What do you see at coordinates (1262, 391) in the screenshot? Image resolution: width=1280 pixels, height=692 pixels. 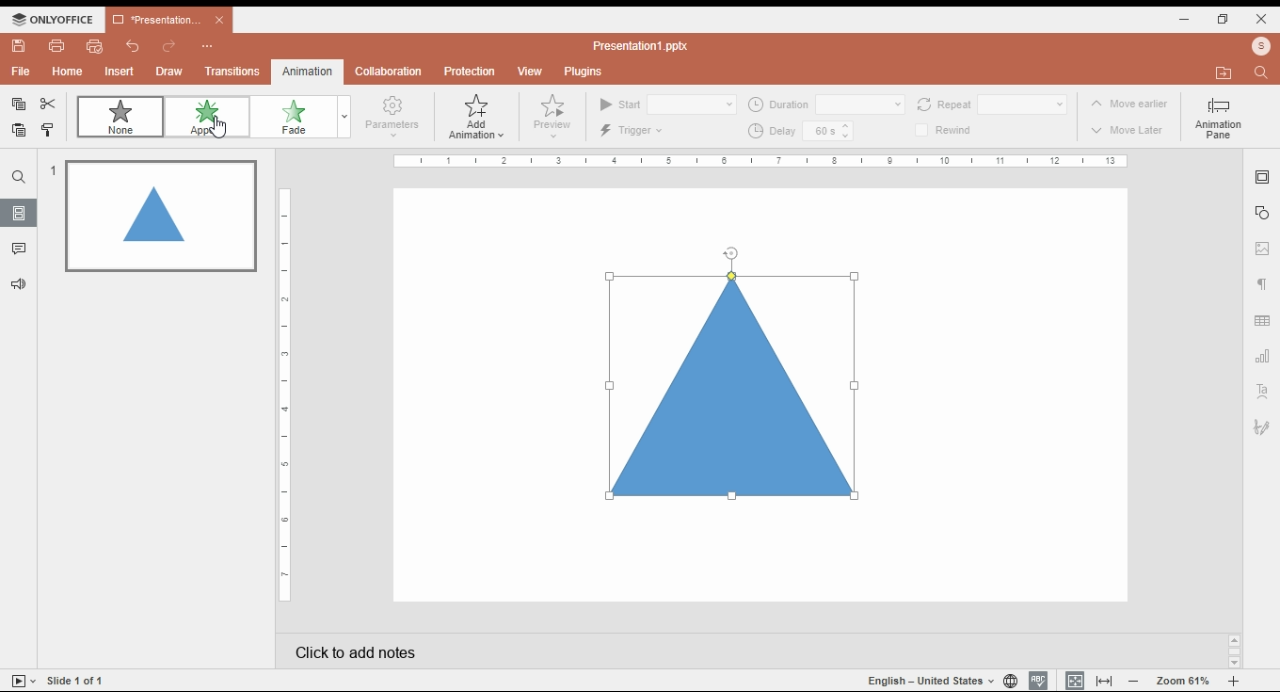 I see `text art setting` at bounding box center [1262, 391].